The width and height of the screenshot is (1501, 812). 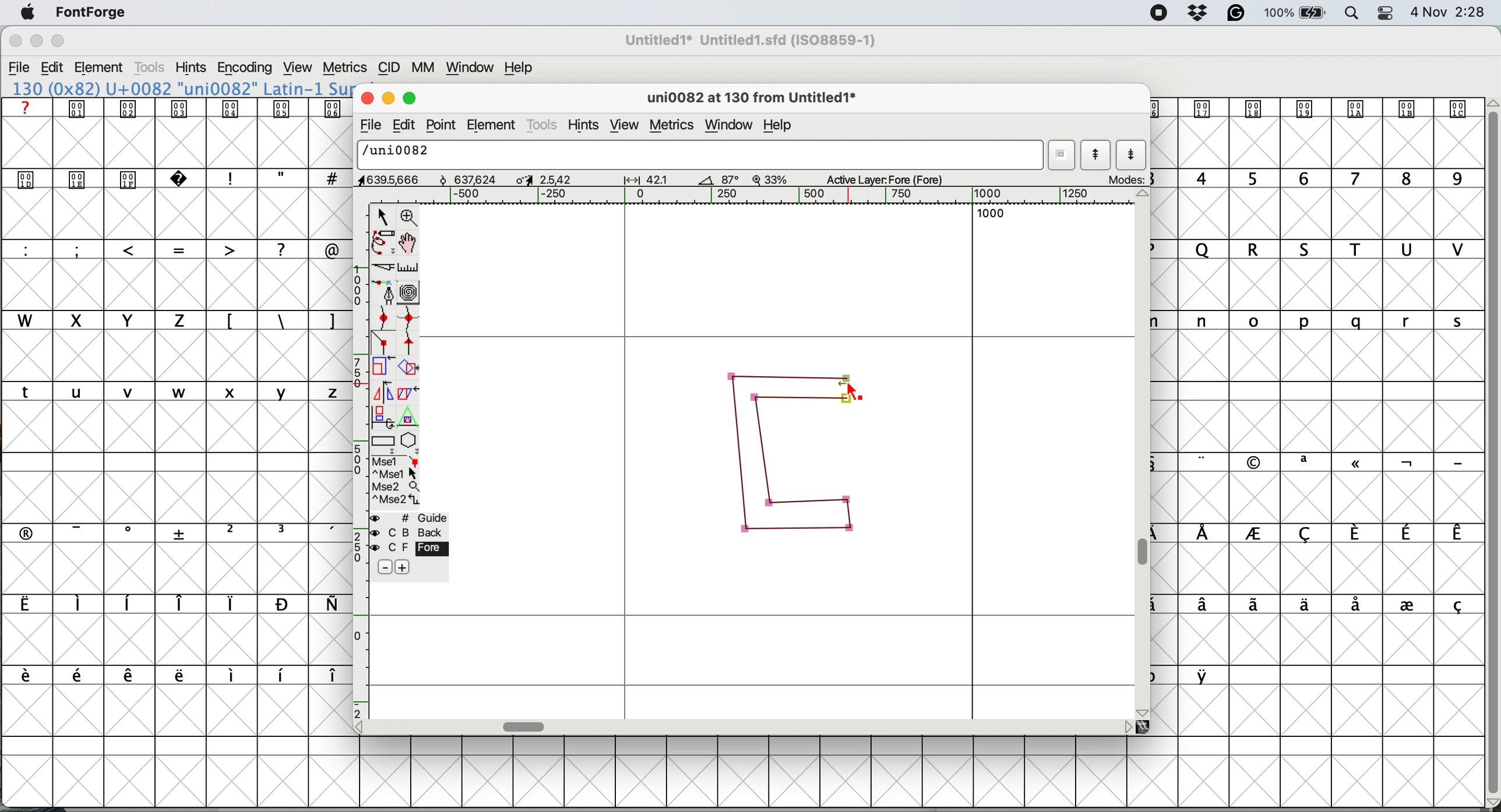 What do you see at coordinates (737, 454) in the screenshot?
I see `corner points connected` at bounding box center [737, 454].